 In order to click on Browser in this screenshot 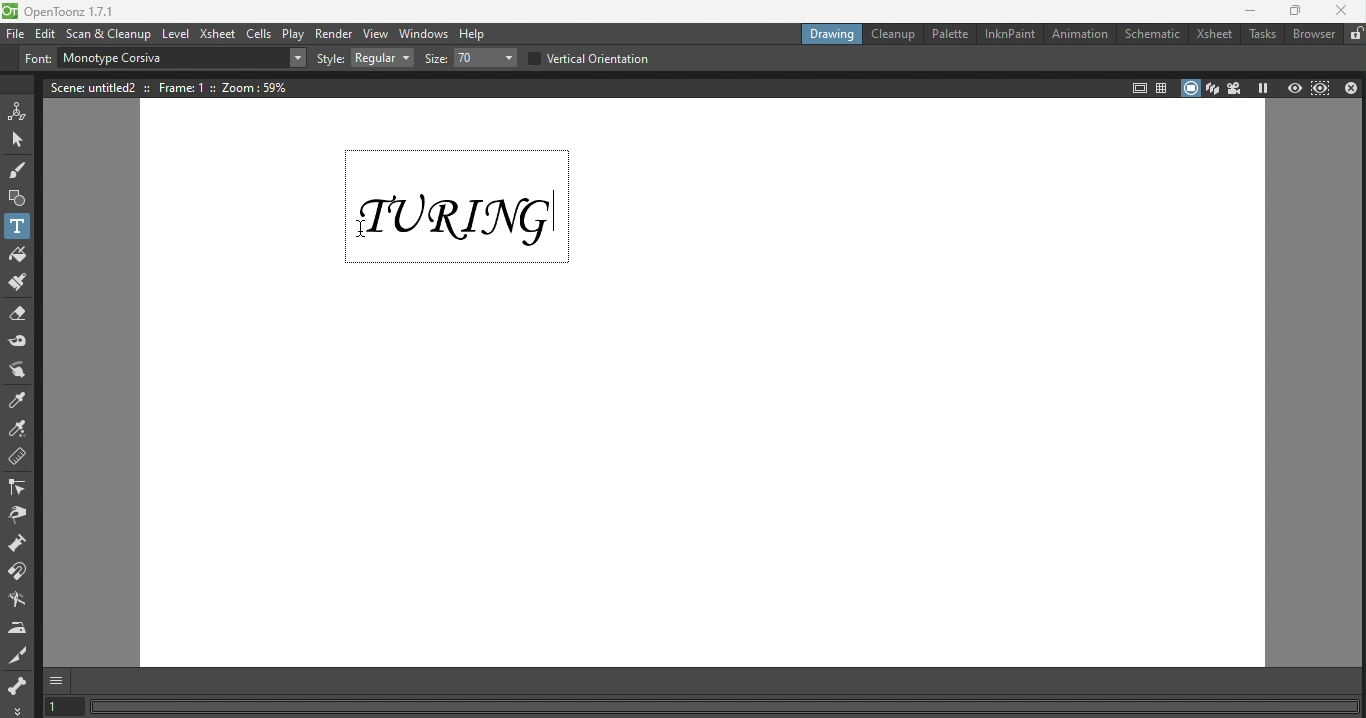, I will do `click(1312, 37)`.